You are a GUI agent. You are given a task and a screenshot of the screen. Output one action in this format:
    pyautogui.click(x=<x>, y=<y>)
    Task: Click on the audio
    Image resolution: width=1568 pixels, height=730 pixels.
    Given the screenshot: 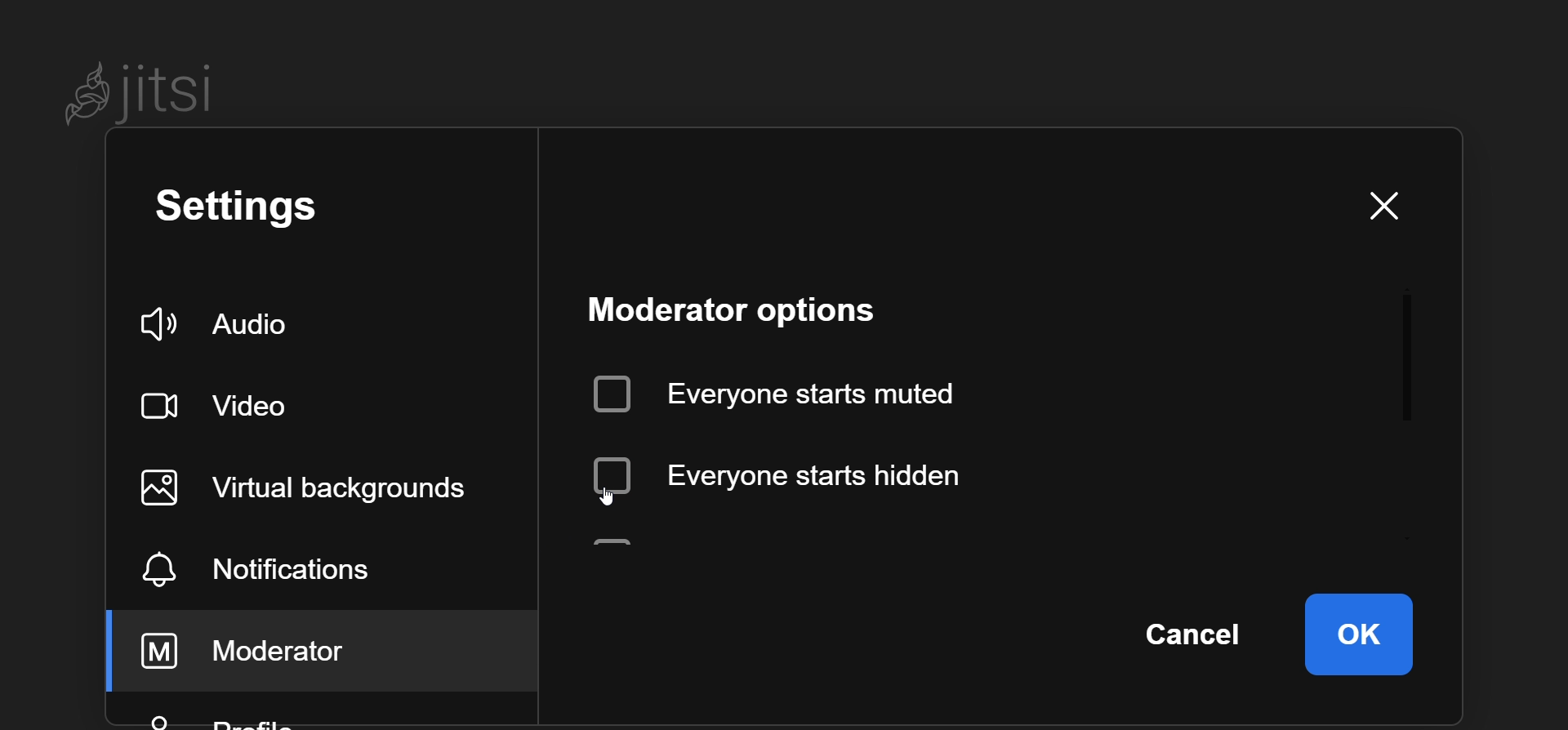 What is the action you would take?
    pyautogui.click(x=214, y=324)
    